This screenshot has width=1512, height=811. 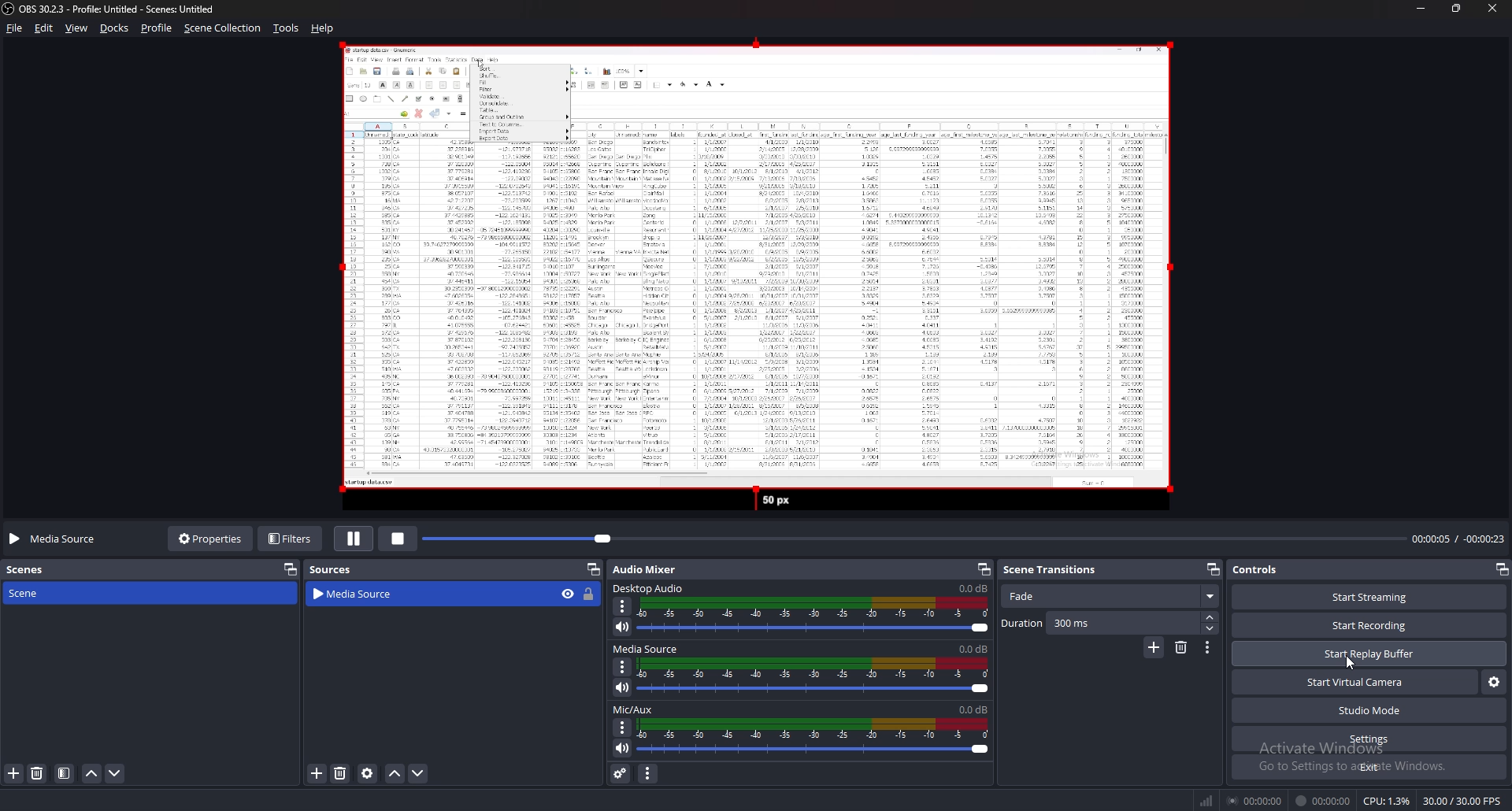 I want to click on move scene up, so click(x=92, y=774).